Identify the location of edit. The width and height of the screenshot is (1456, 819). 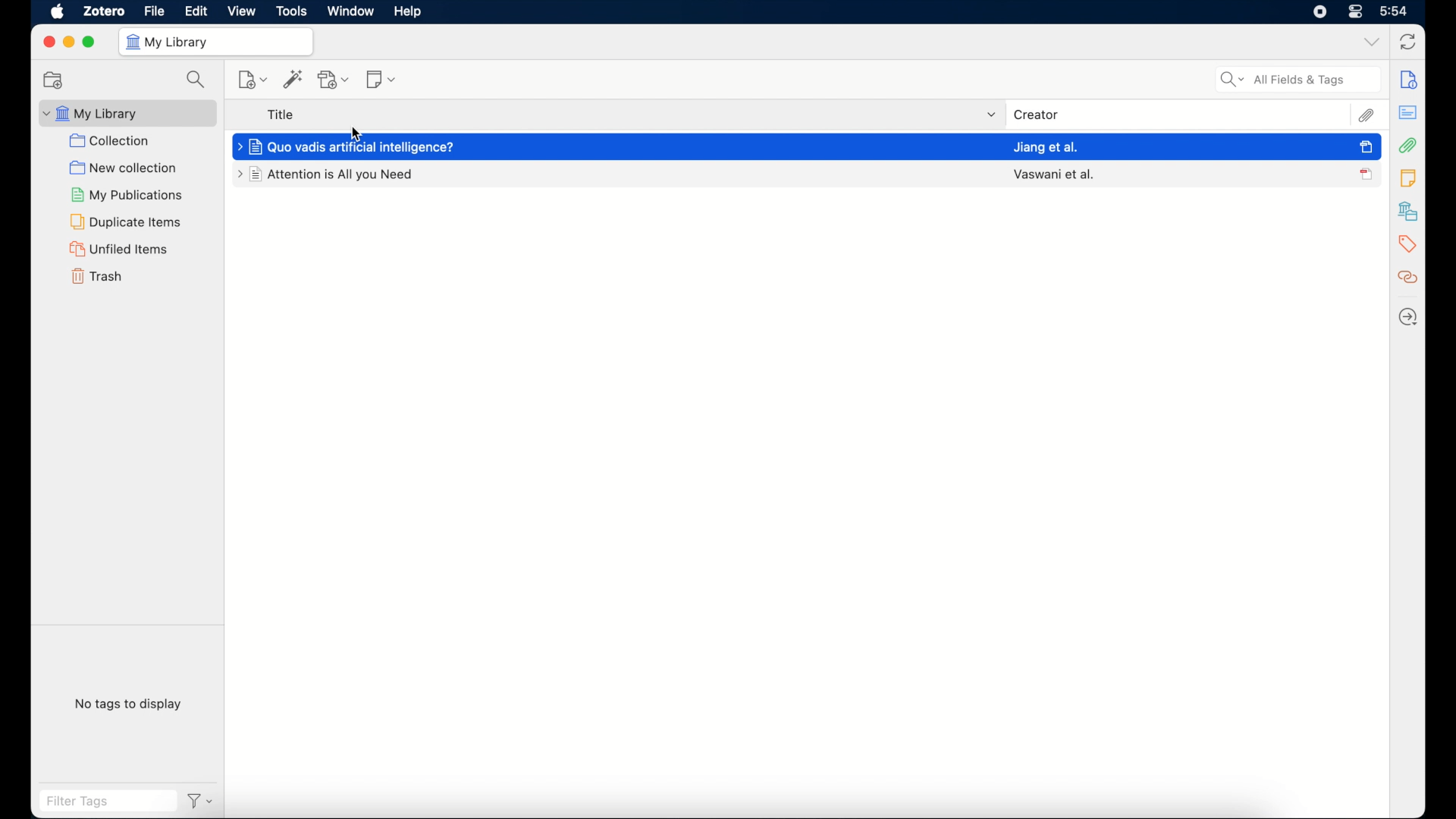
(196, 11).